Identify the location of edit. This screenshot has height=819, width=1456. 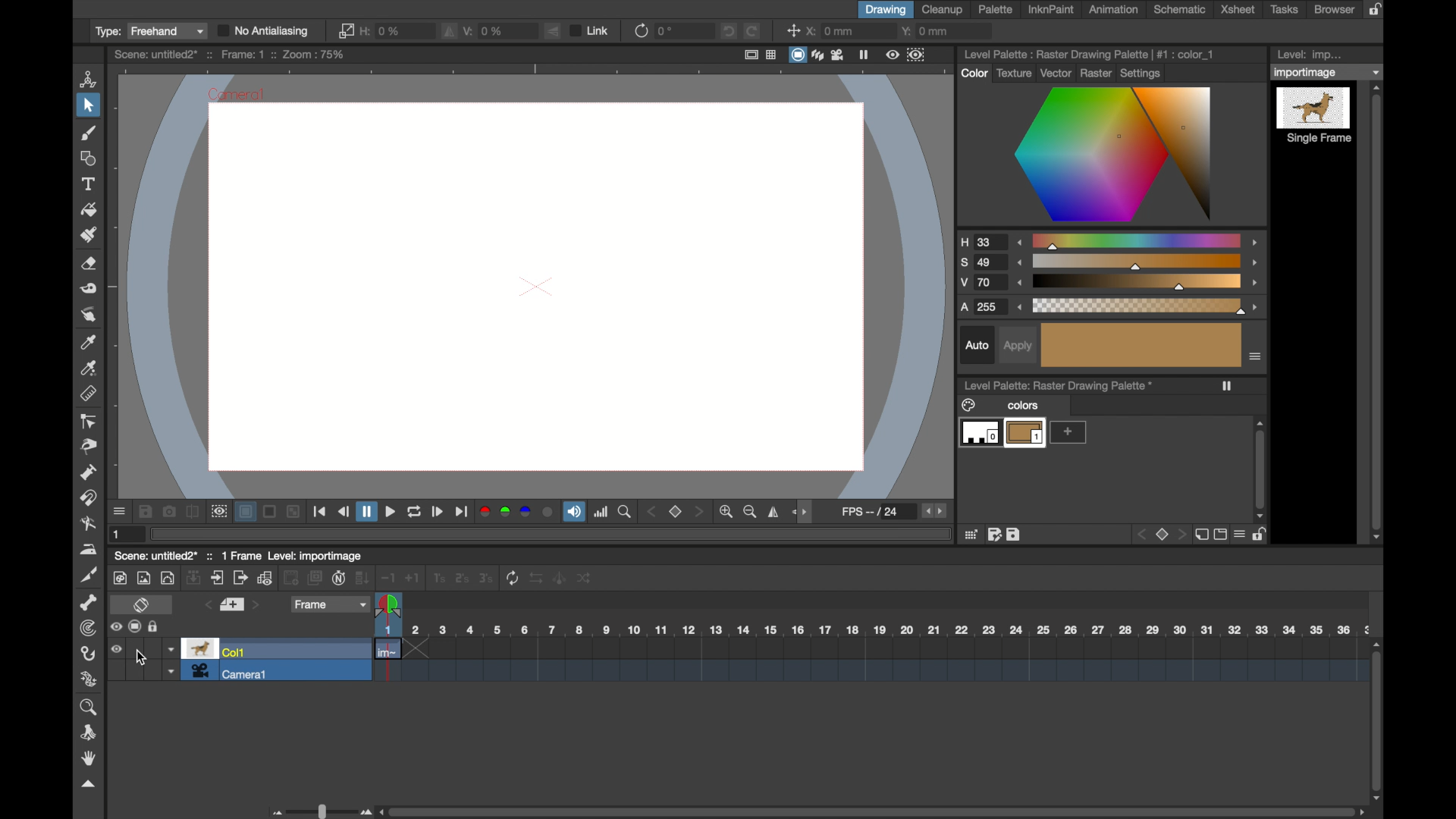
(993, 534).